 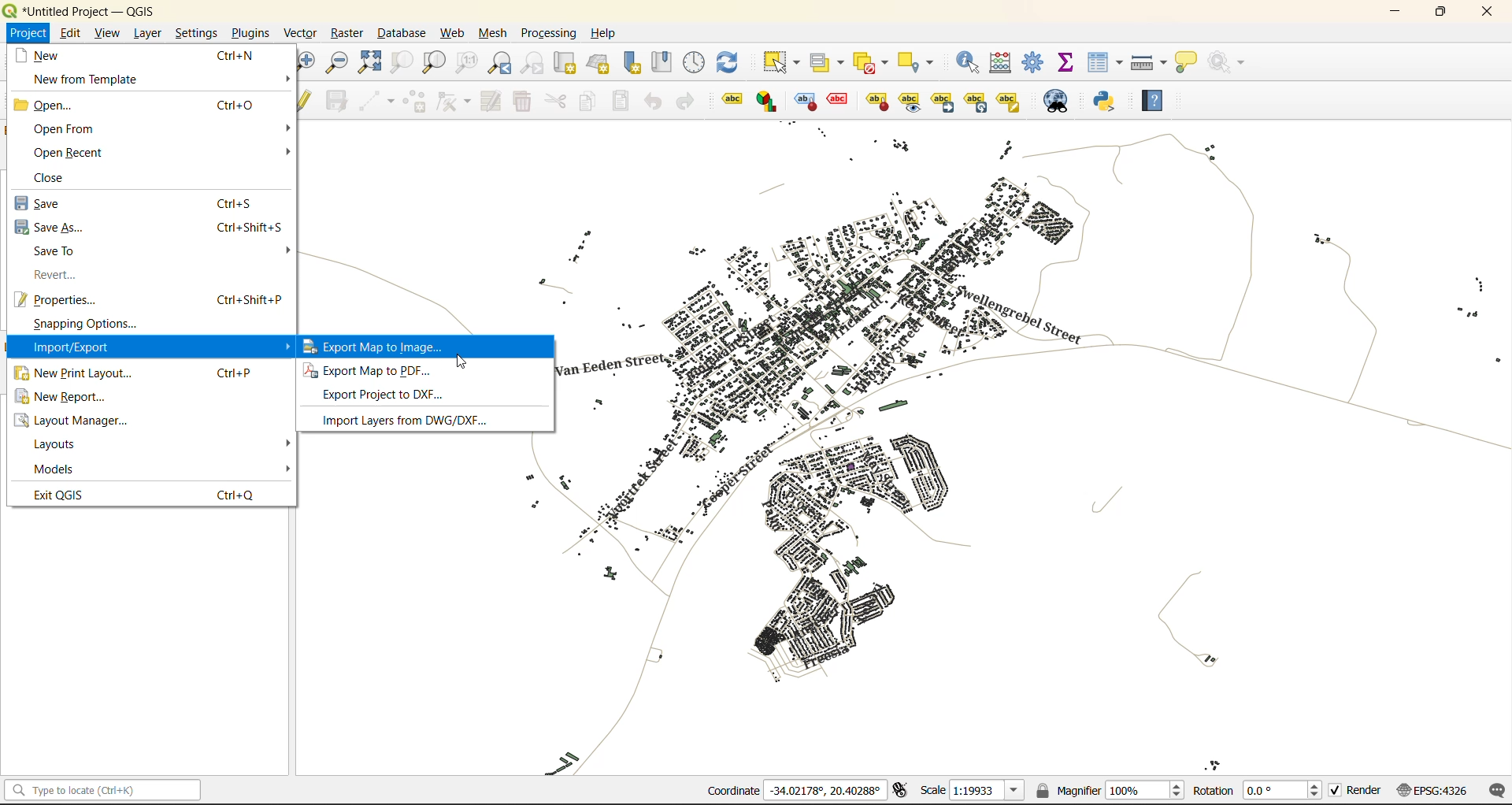 What do you see at coordinates (346, 32) in the screenshot?
I see `raster` at bounding box center [346, 32].